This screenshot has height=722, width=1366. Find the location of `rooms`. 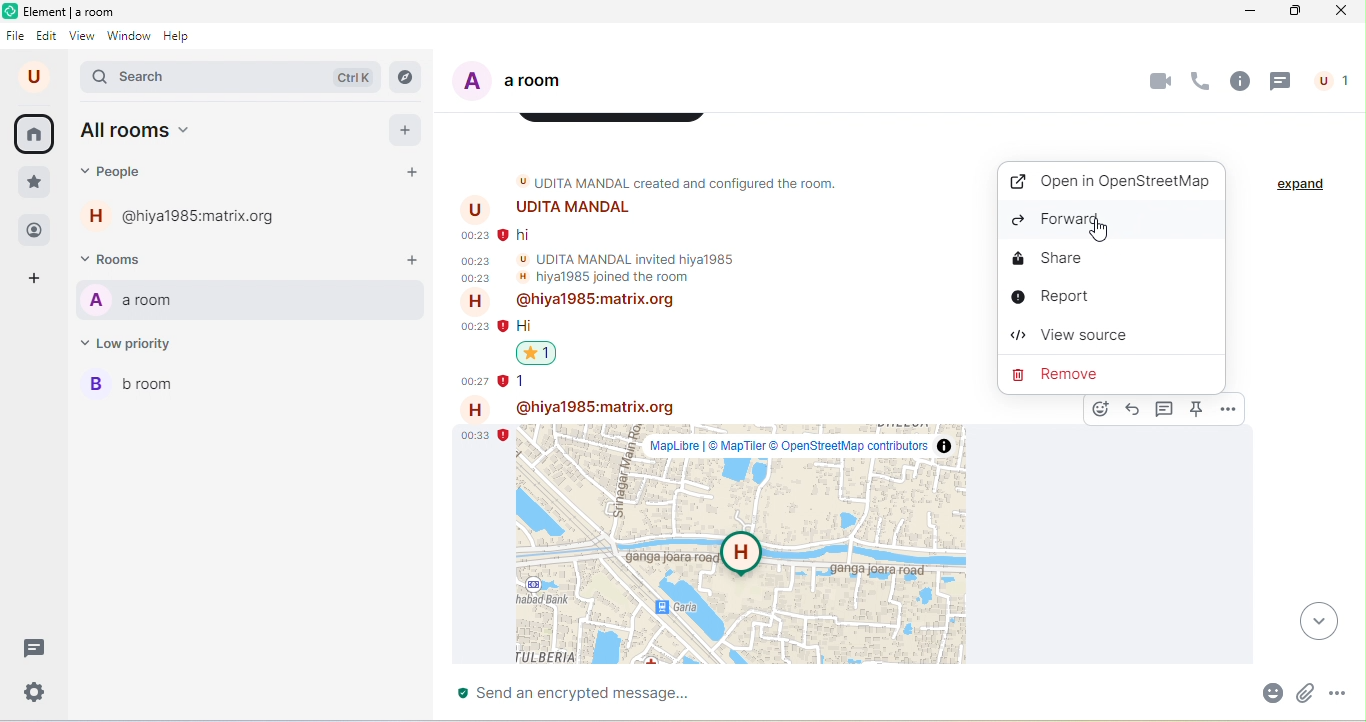

rooms is located at coordinates (124, 259).